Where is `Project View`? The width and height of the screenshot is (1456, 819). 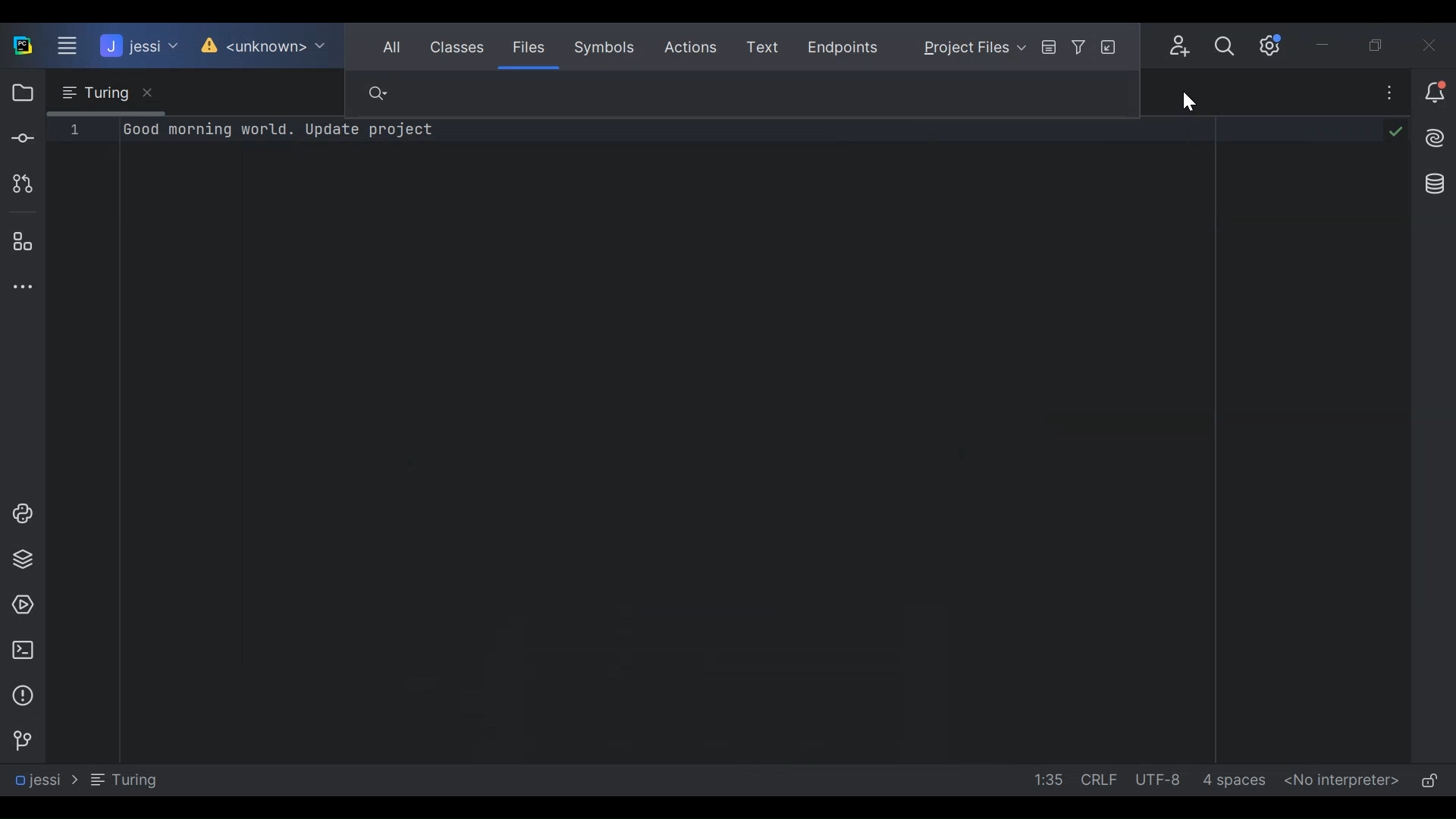
Project View is located at coordinates (21, 93).